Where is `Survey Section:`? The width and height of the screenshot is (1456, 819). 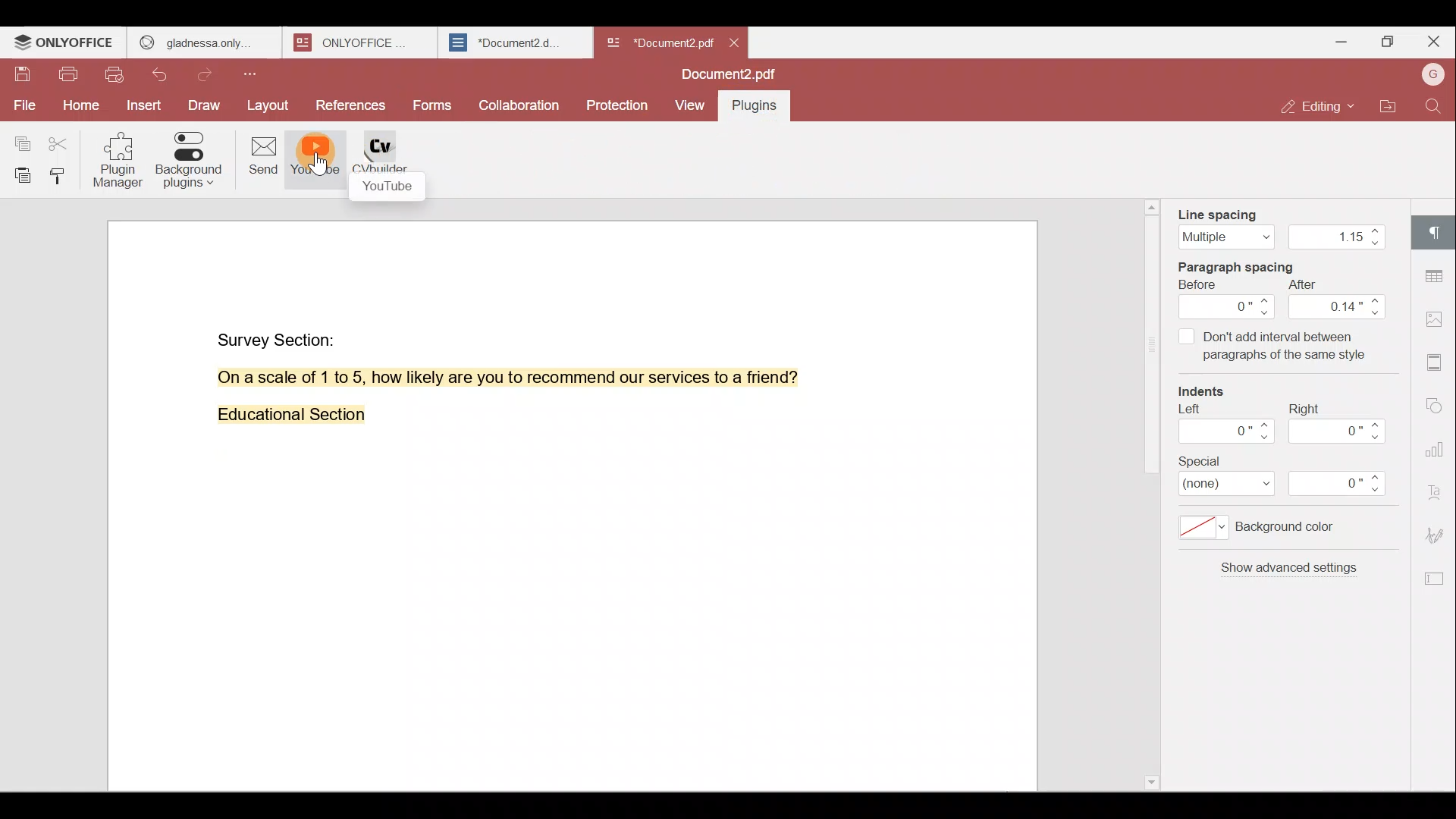
Survey Section: is located at coordinates (279, 337).